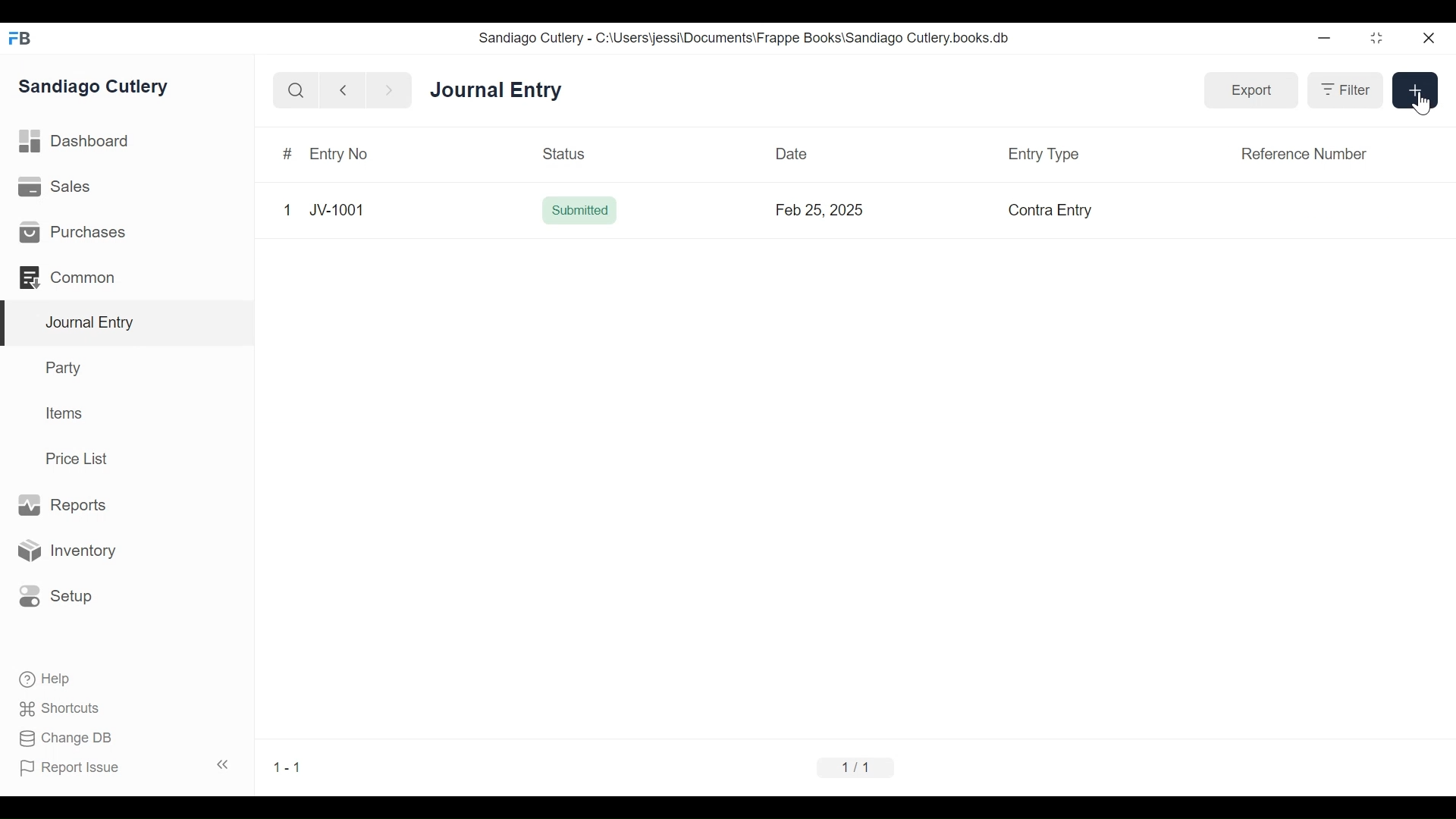 The width and height of the screenshot is (1456, 819). What do you see at coordinates (1427, 39) in the screenshot?
I see `Close` at bounding box center [1427, 39].